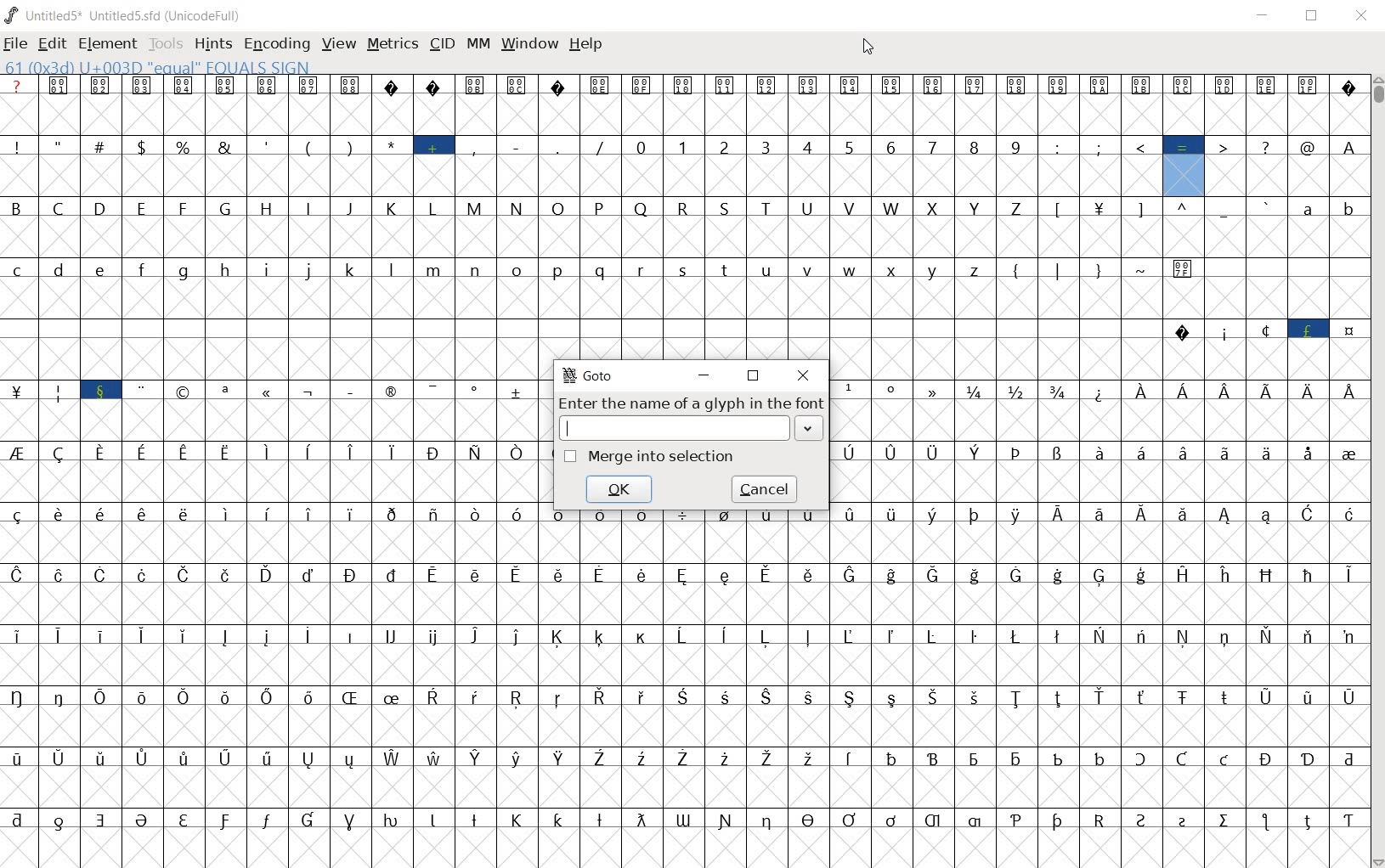 The image size is (1385, 868). Describe the element at coordinates (212, 44) in the screenshot. I see `hints` at that location.